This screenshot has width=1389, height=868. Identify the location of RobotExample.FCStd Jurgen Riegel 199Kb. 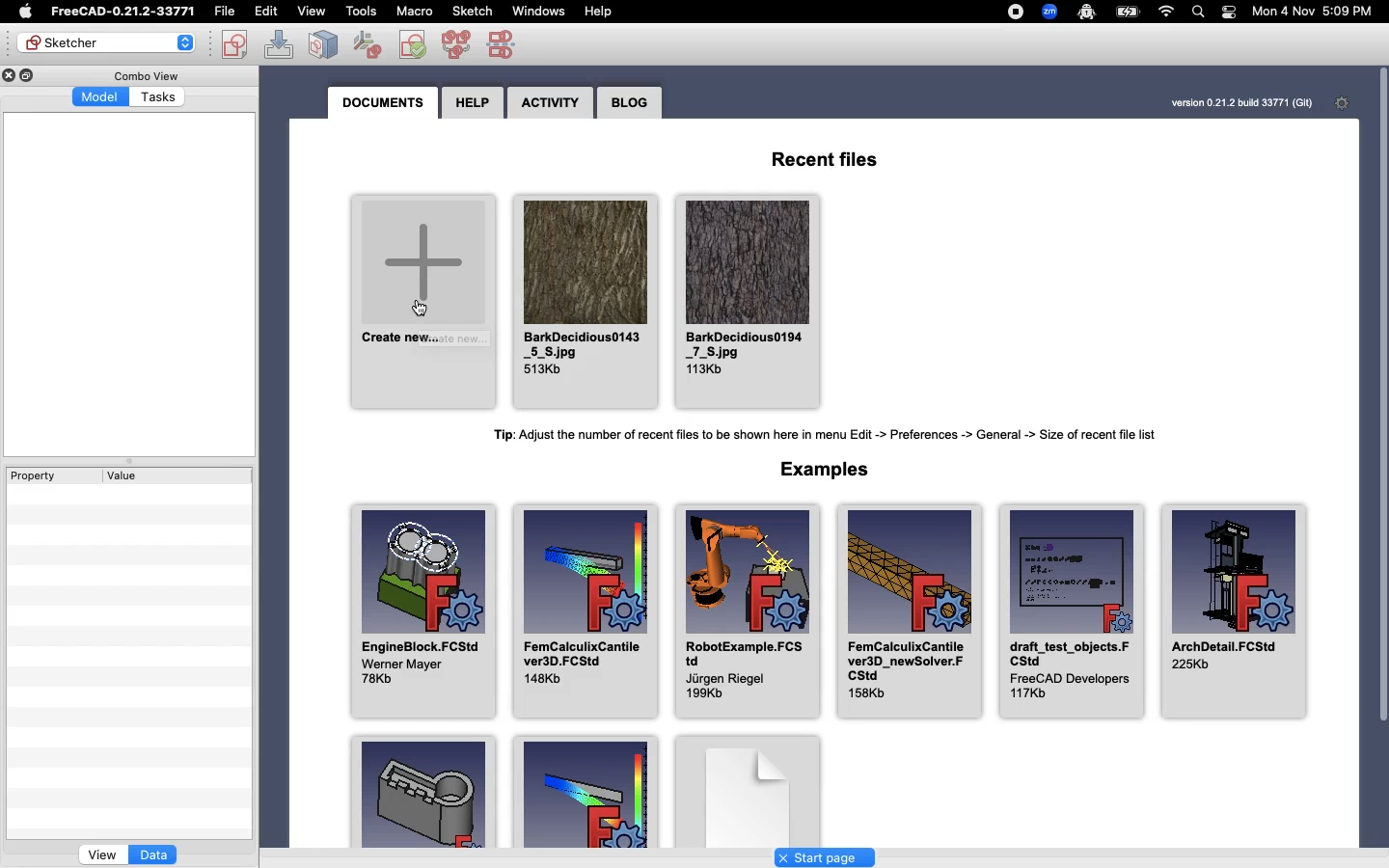
(749, 612).